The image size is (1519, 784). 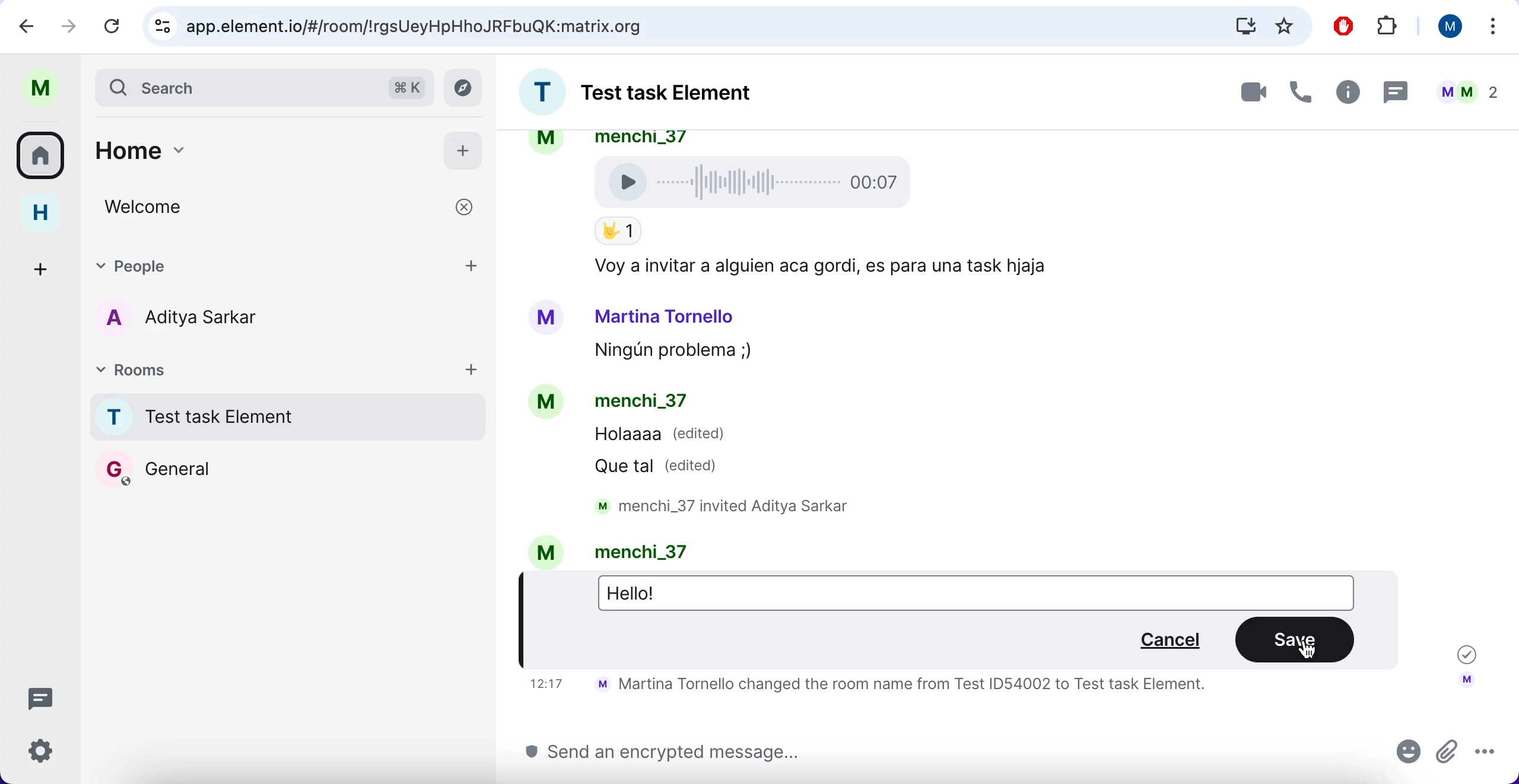 I want to click on user, so click(x=1448, y=27).